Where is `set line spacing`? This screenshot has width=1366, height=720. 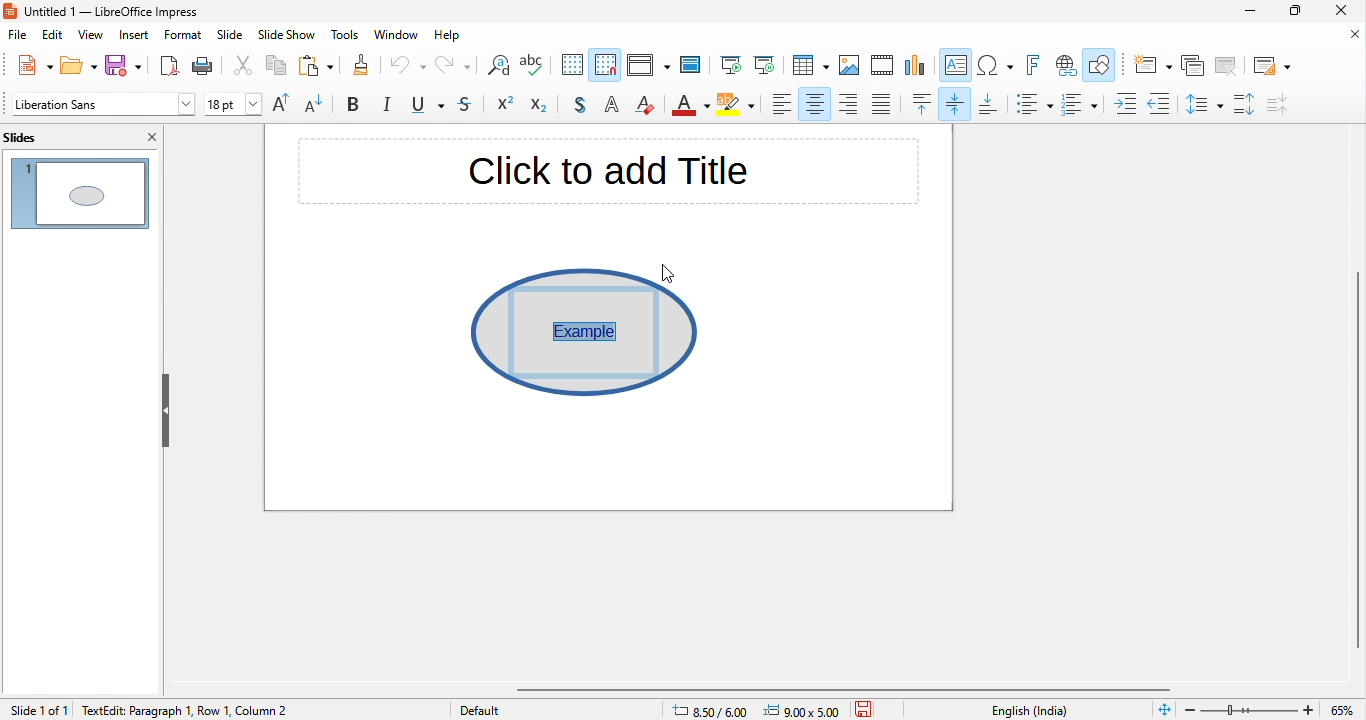 set line spacing is located at coordinates (1202, 103).